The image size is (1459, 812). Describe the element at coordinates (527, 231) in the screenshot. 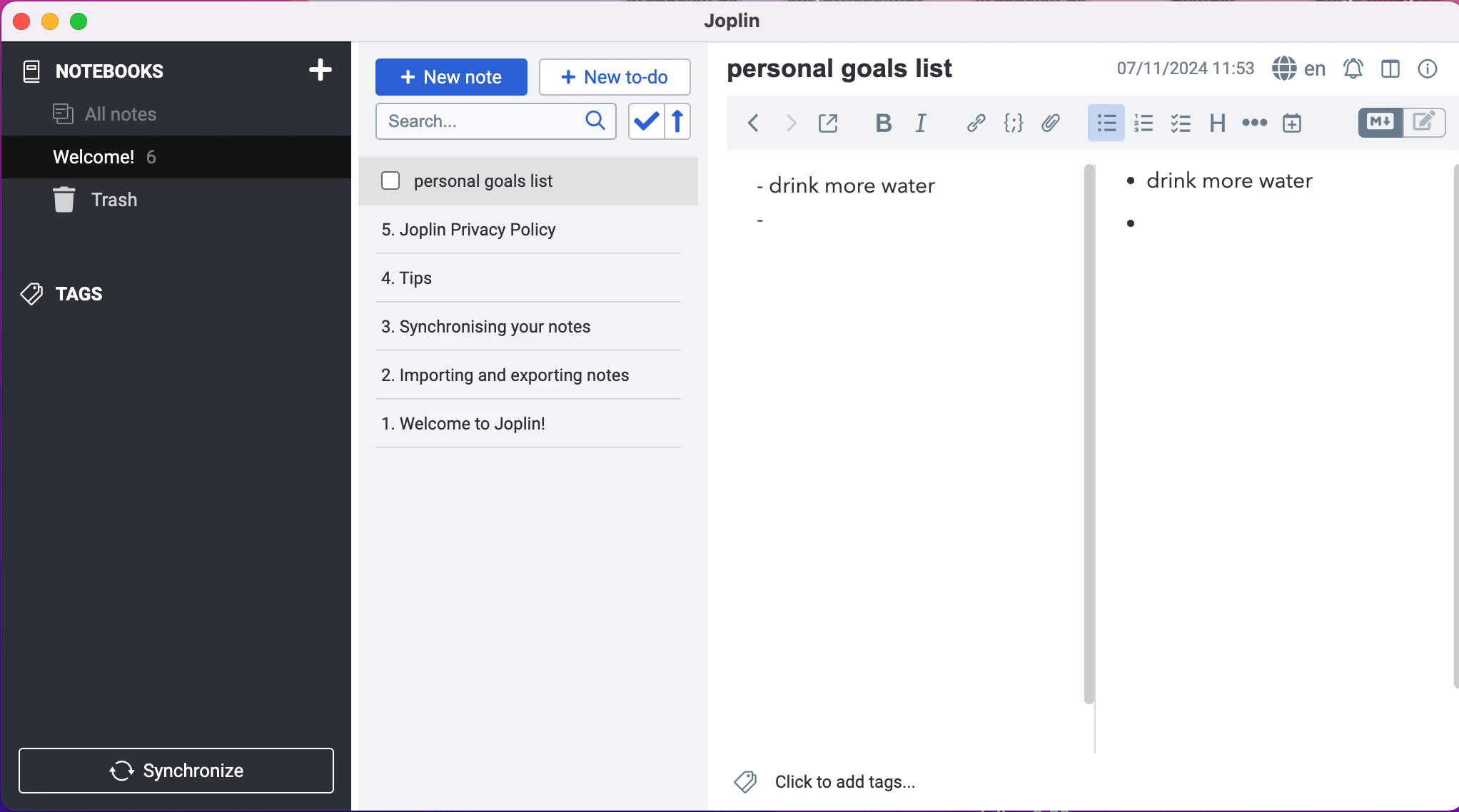

I see `tips` at that location.